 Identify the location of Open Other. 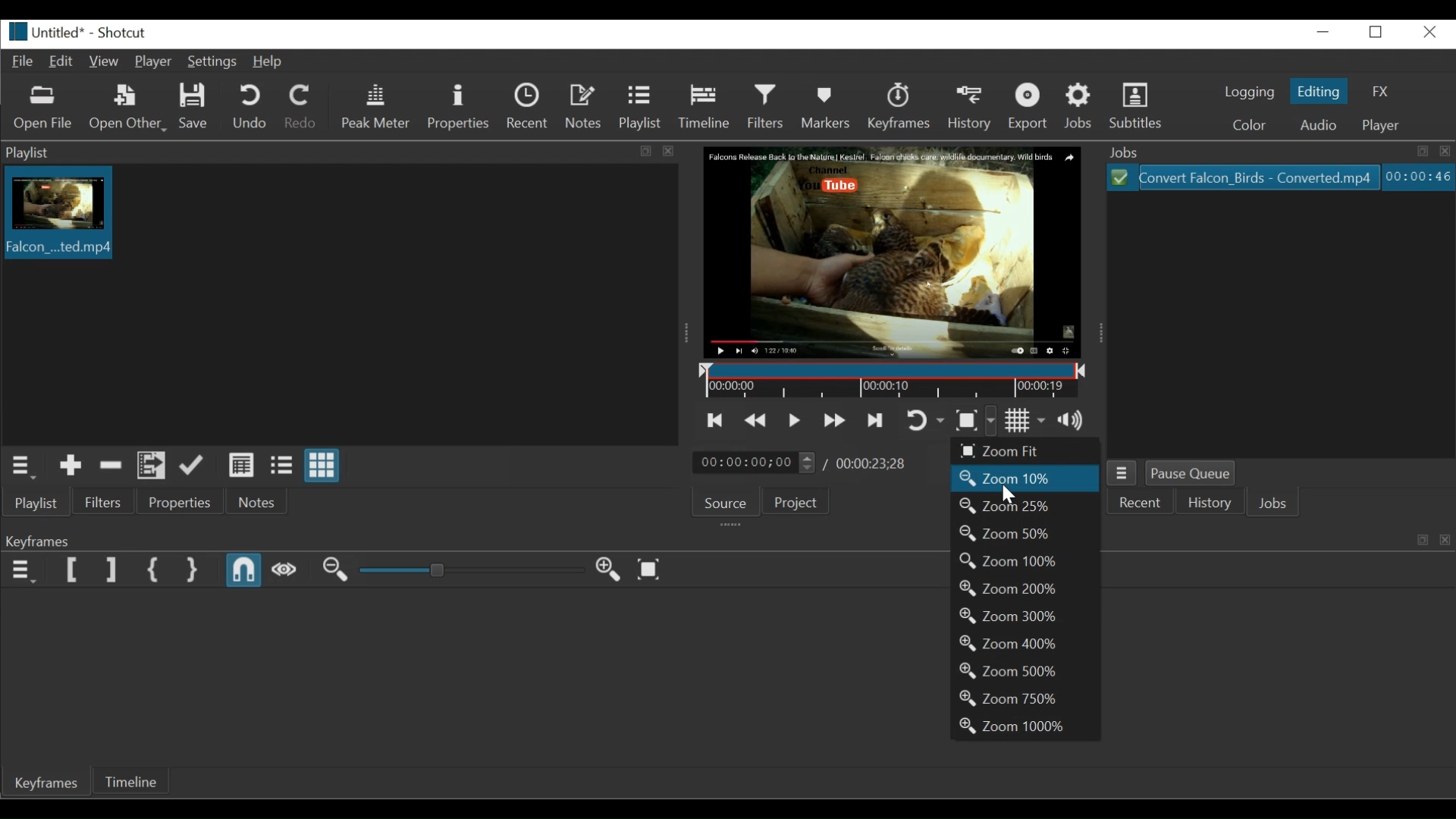
(129, 108).